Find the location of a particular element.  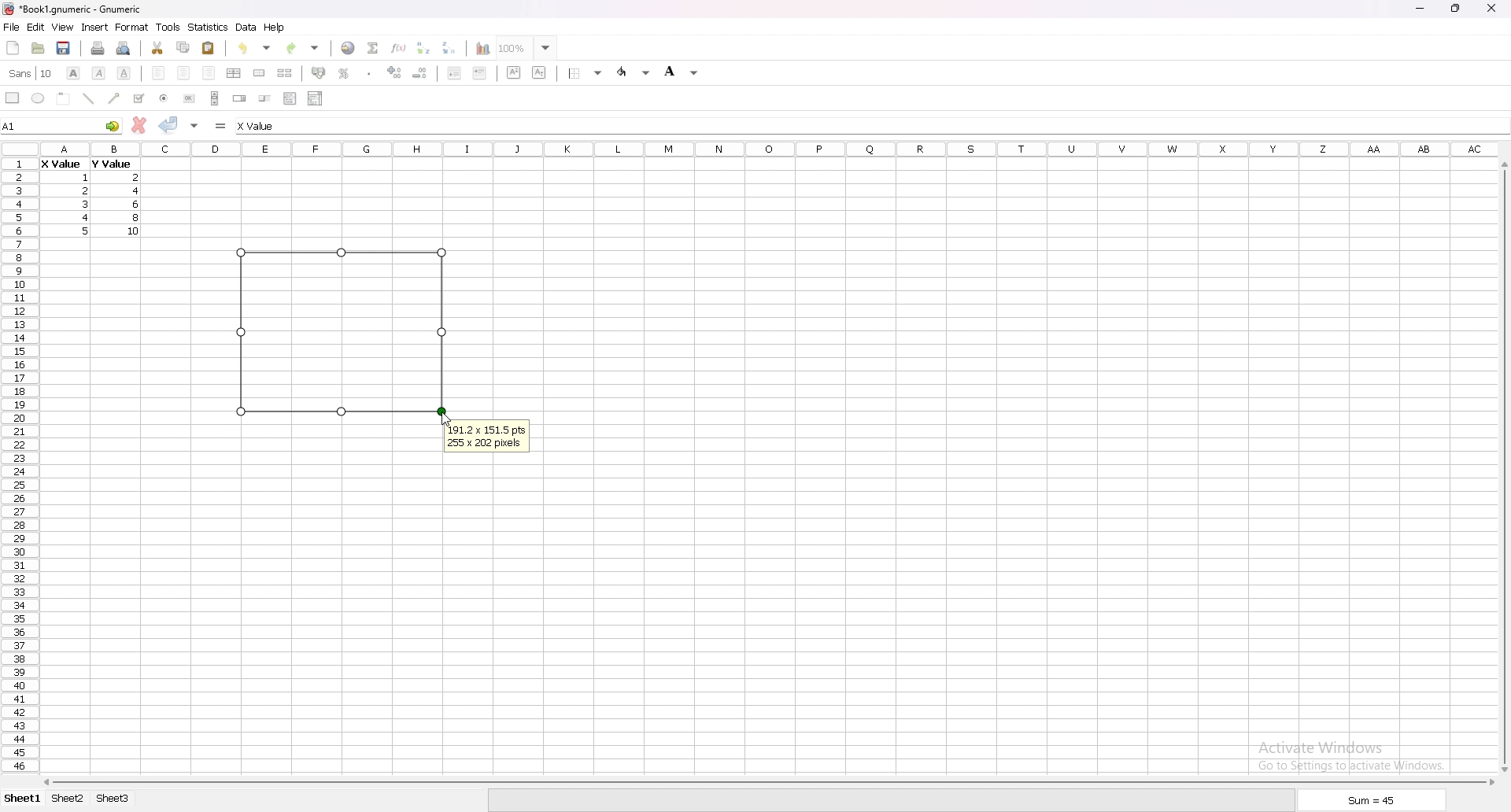

line is located at coordinates (88, 98).